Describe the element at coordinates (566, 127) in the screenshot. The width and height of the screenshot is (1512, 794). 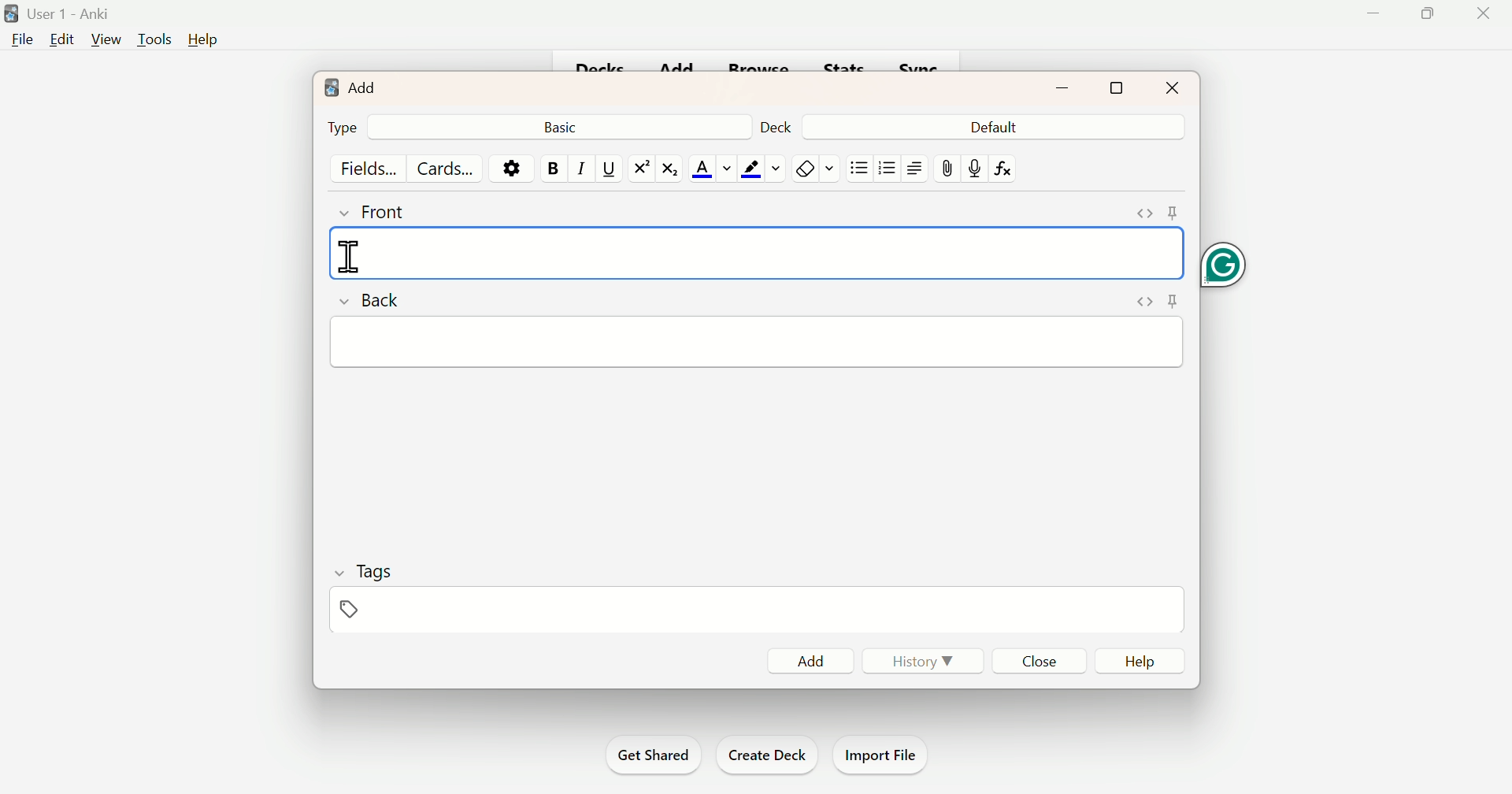
I see `Basic` at that location.